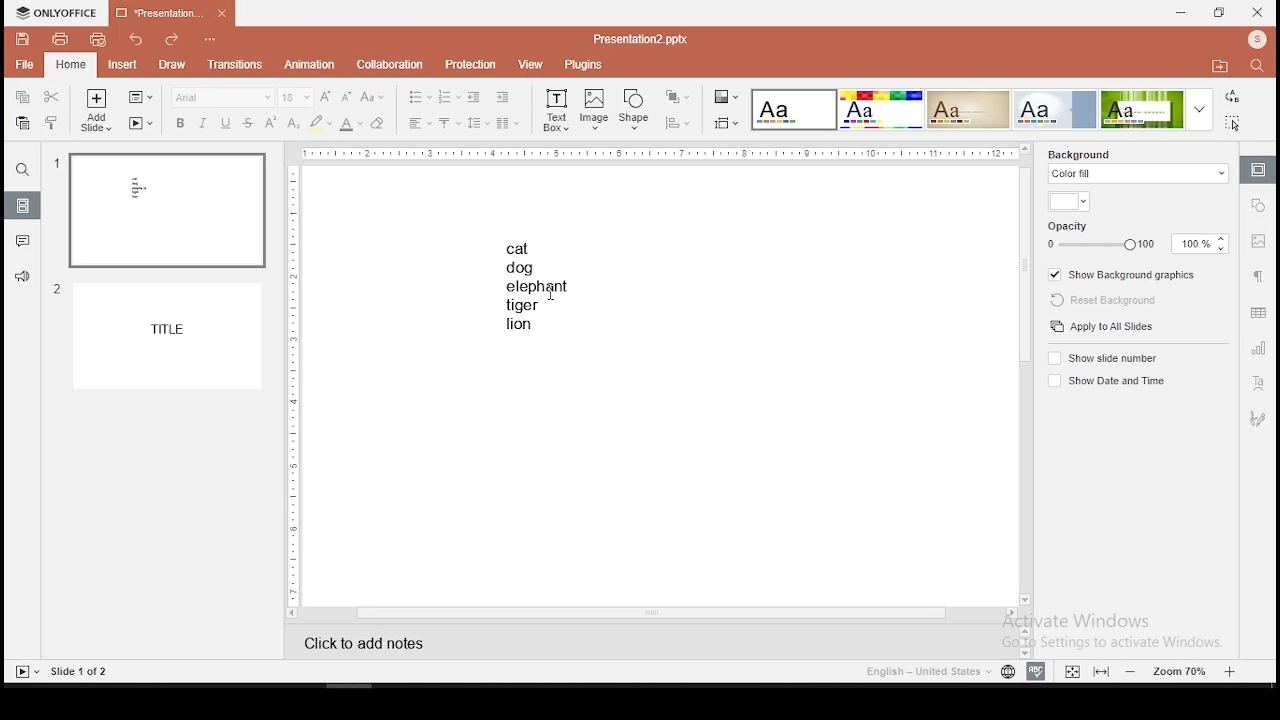 This screenshot has width=1280, height=720. I want to click on add slide, so click(94, 110).